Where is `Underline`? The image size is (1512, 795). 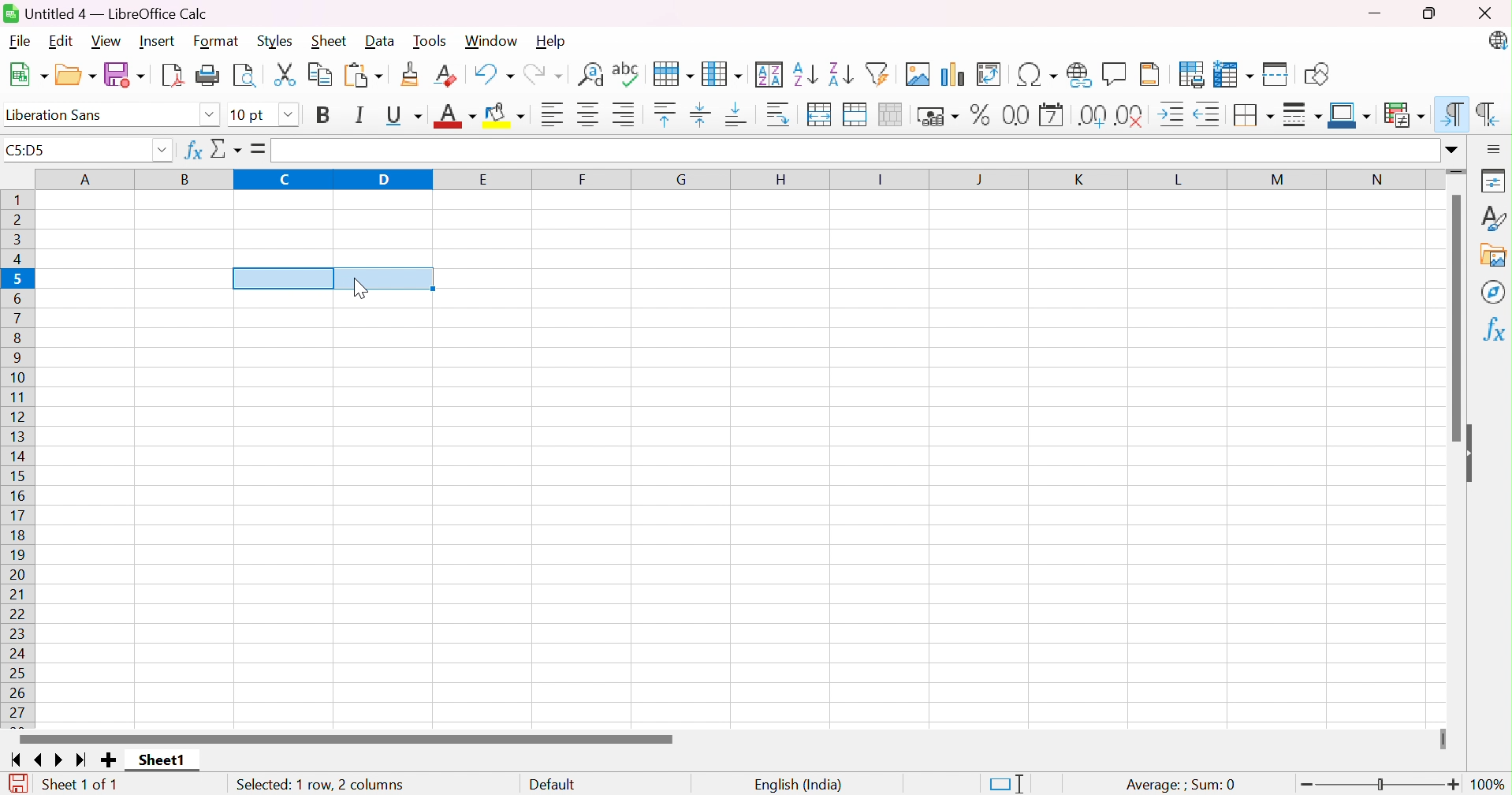
Underline is located at coordinates (403, 115).